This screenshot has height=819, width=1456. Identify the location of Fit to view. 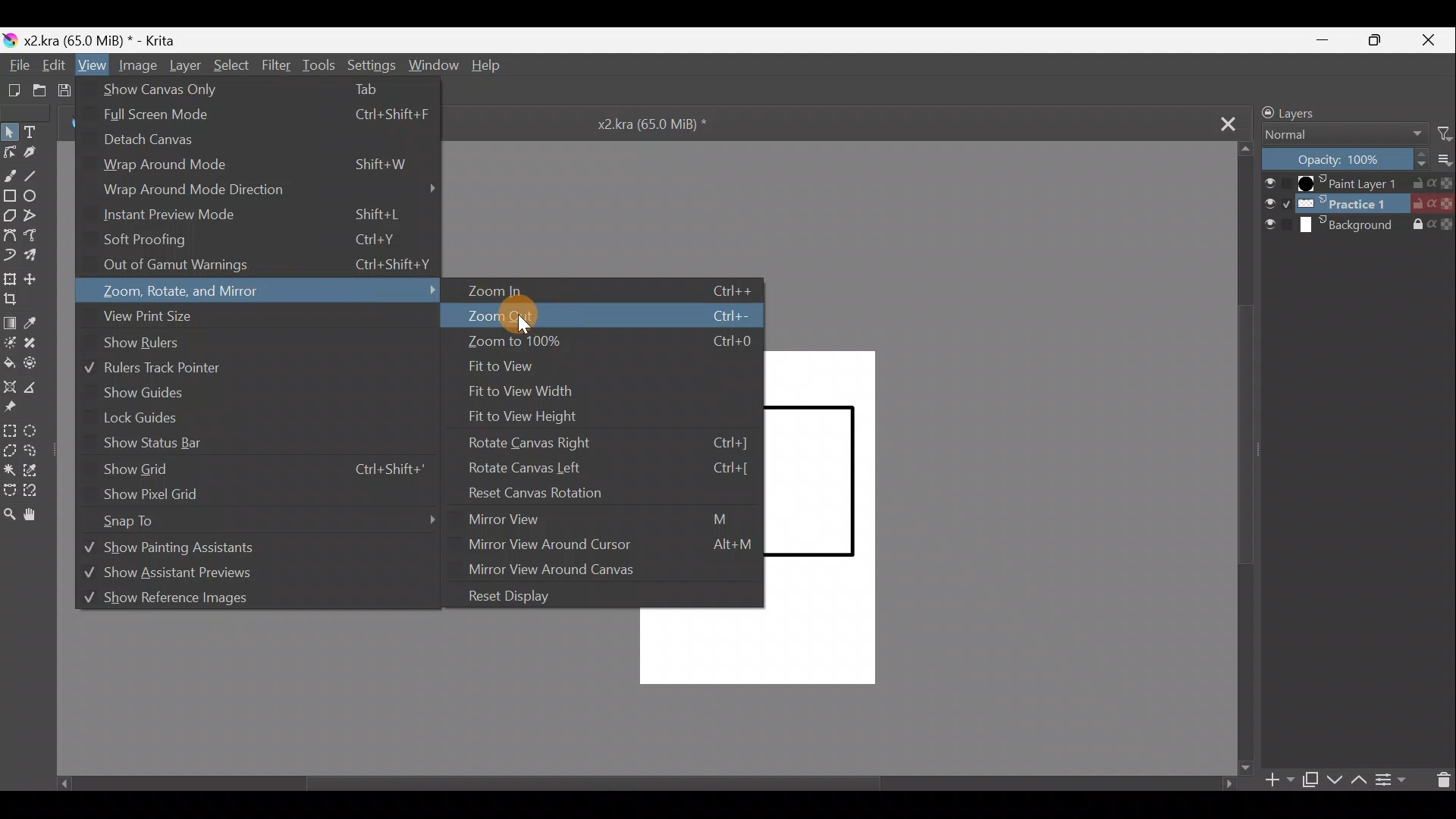
(510, 368).